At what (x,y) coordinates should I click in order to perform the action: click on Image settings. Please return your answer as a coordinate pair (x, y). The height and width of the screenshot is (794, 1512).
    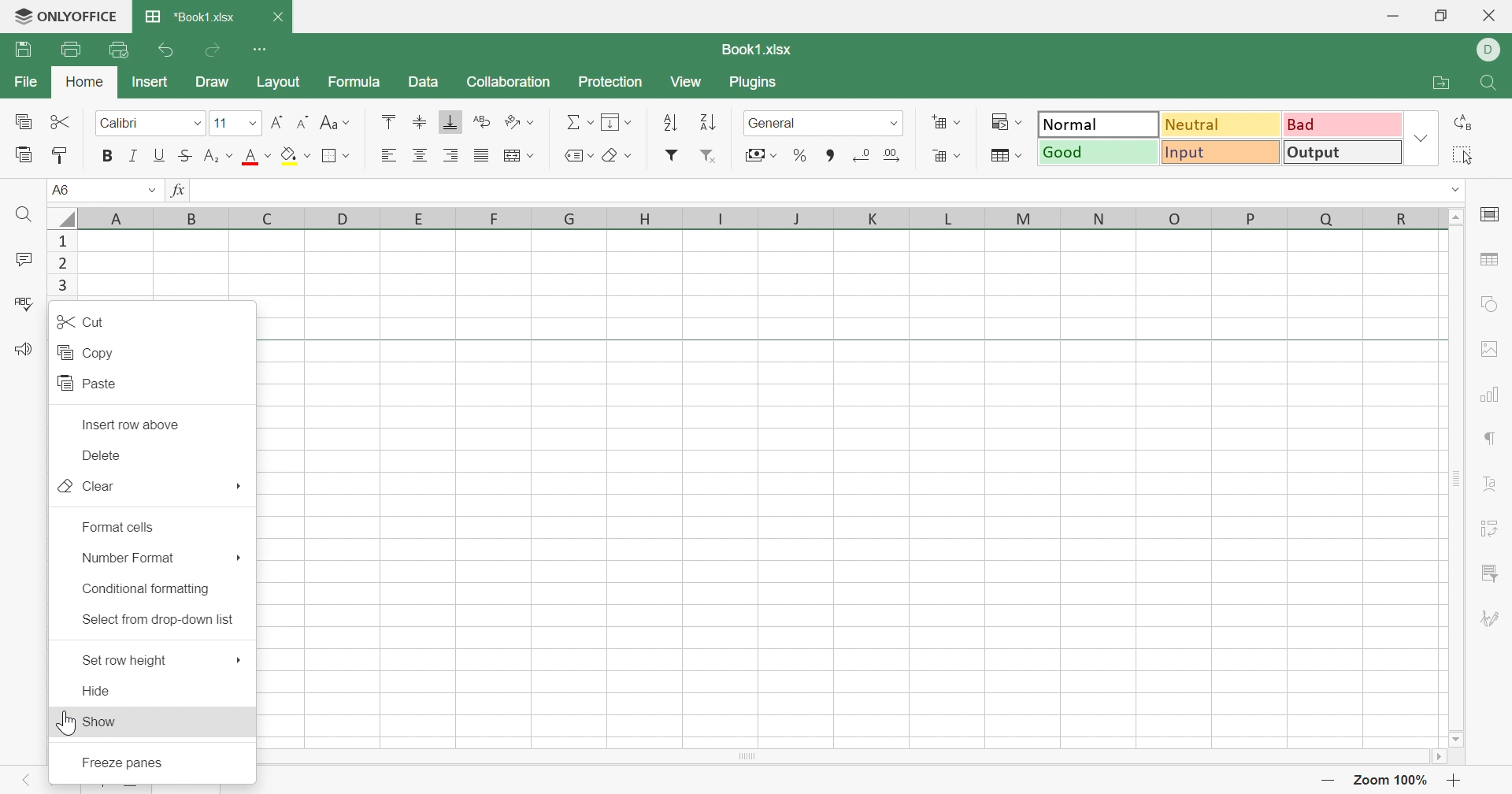
    Looking at the image, I should click on (1492, 350).